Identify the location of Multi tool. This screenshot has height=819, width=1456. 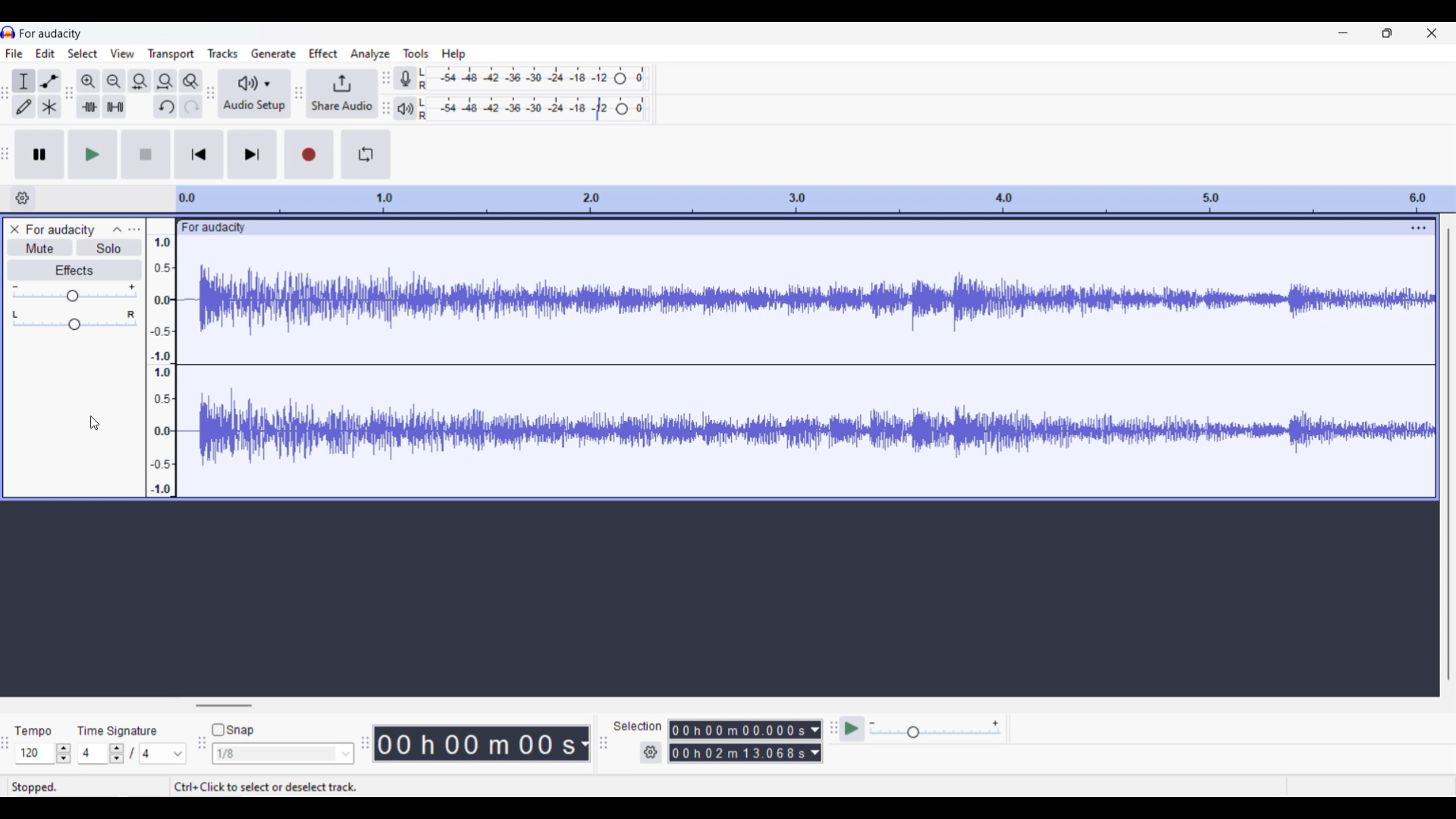
(49, 106).